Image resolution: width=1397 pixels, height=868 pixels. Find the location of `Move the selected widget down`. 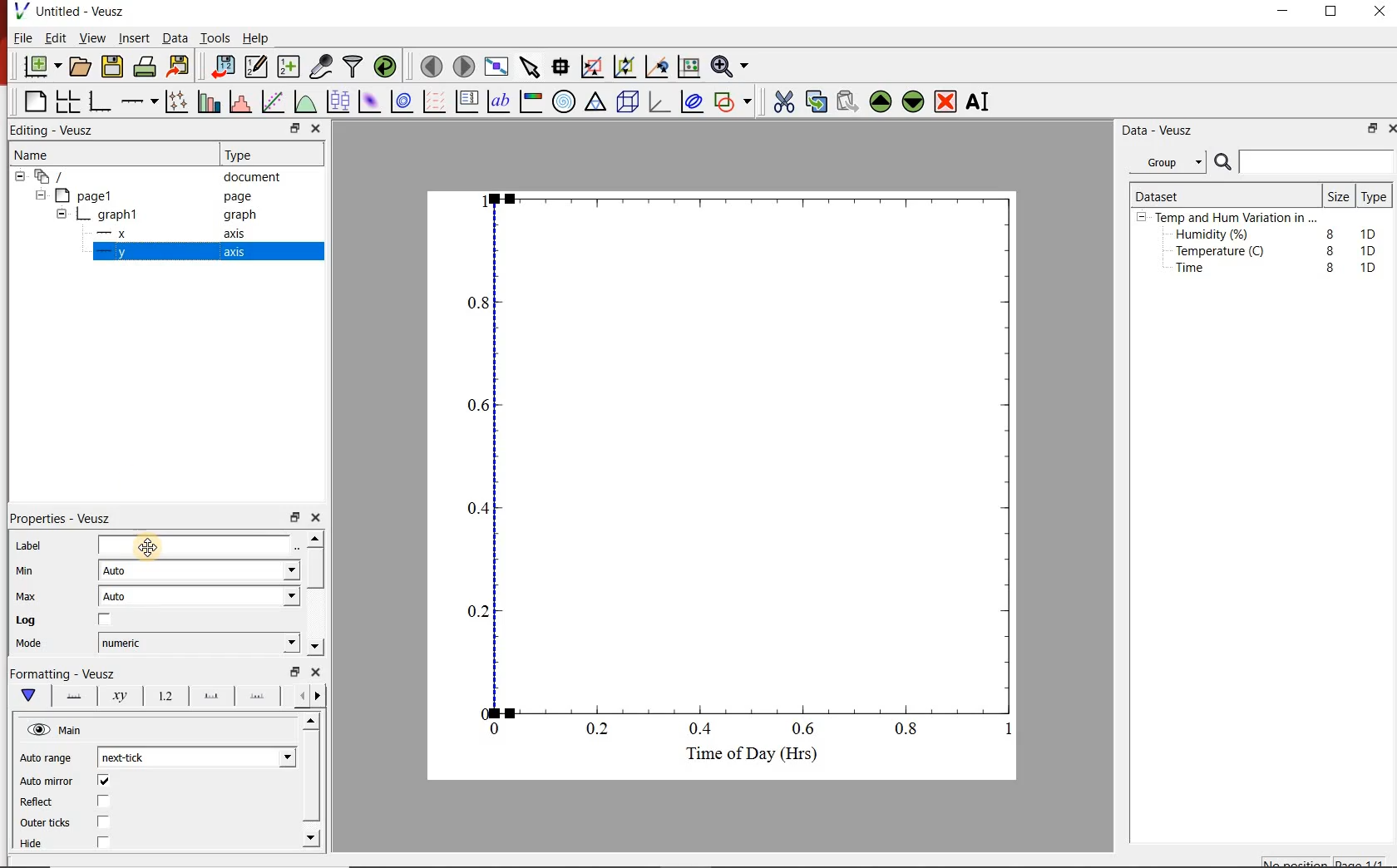

Move the selected widget down is located at coordinates (916, 101).